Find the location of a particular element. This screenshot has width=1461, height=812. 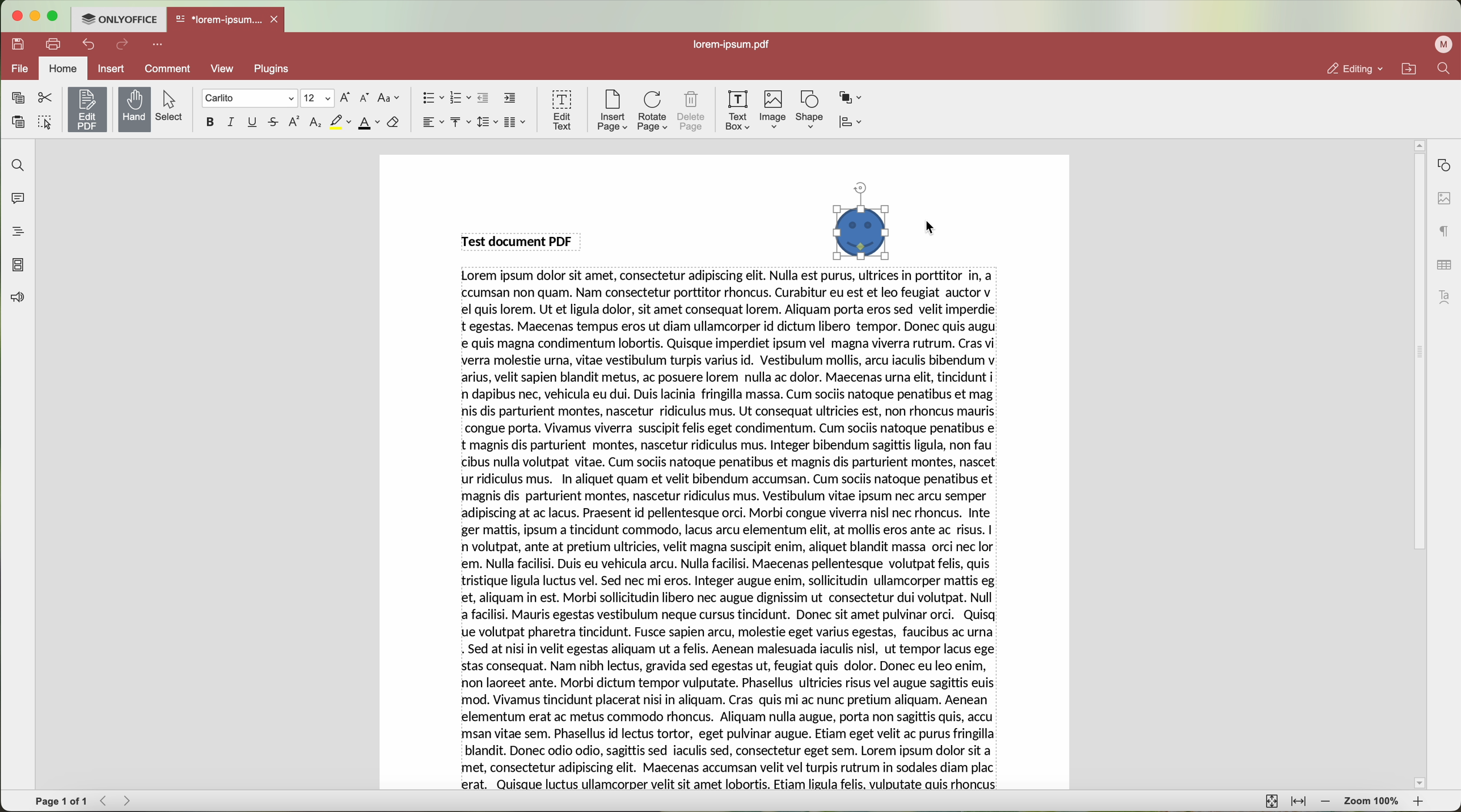

numbered list is located at coordinates (460, 98).